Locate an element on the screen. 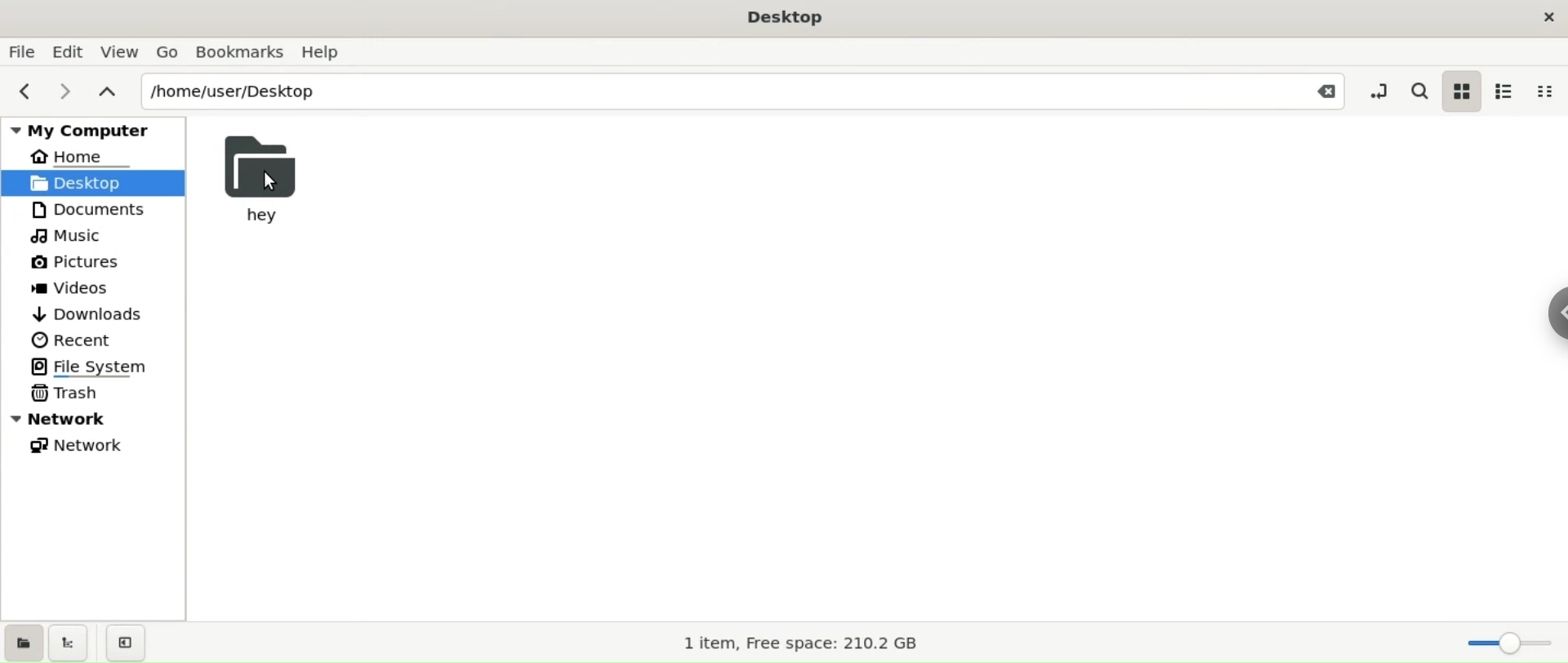 This screenshot has width=1568, height=663. Edit is located at coordinates (69, 51).